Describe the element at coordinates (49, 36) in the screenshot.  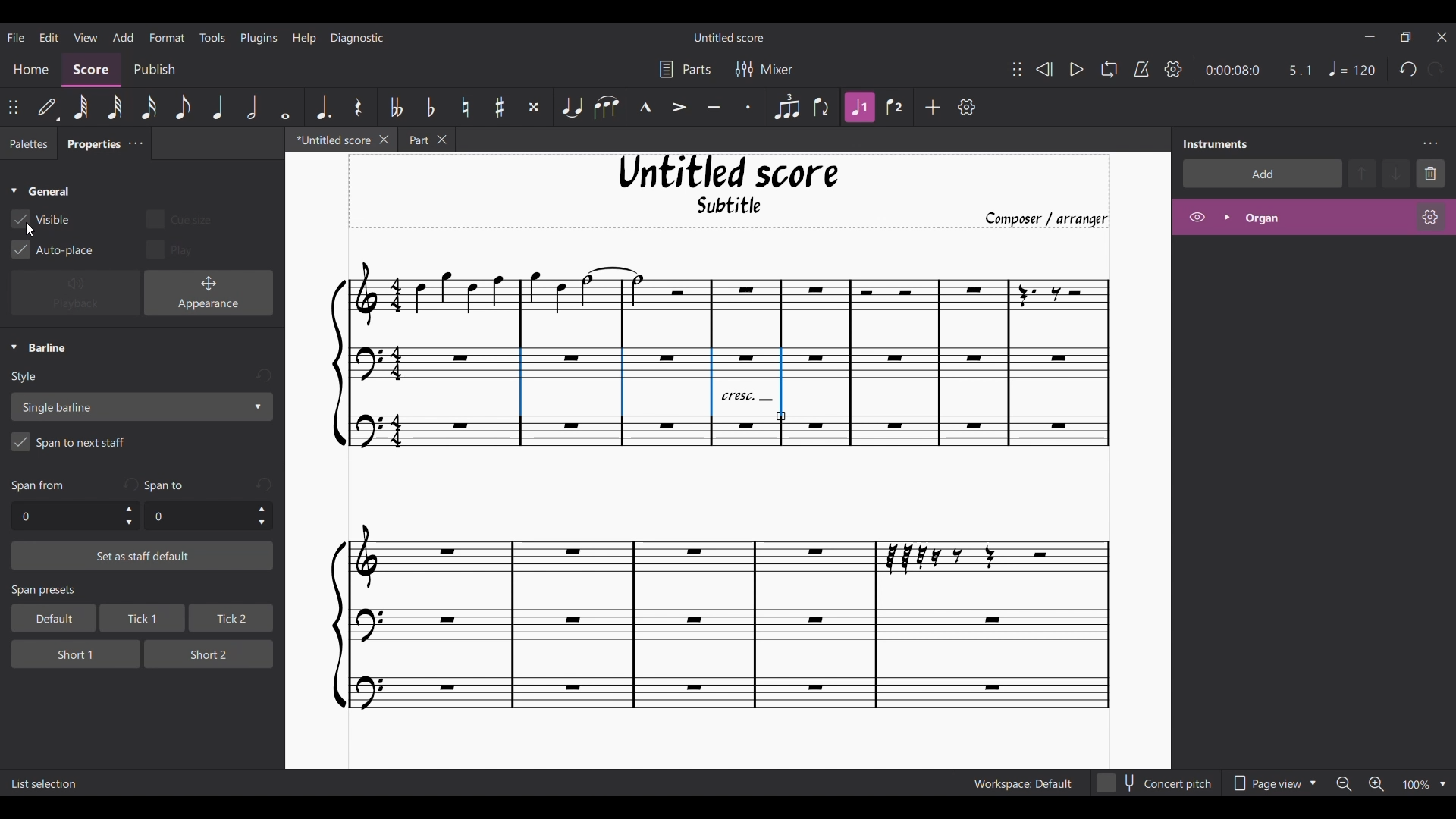
I see `Edit menu` at that location.